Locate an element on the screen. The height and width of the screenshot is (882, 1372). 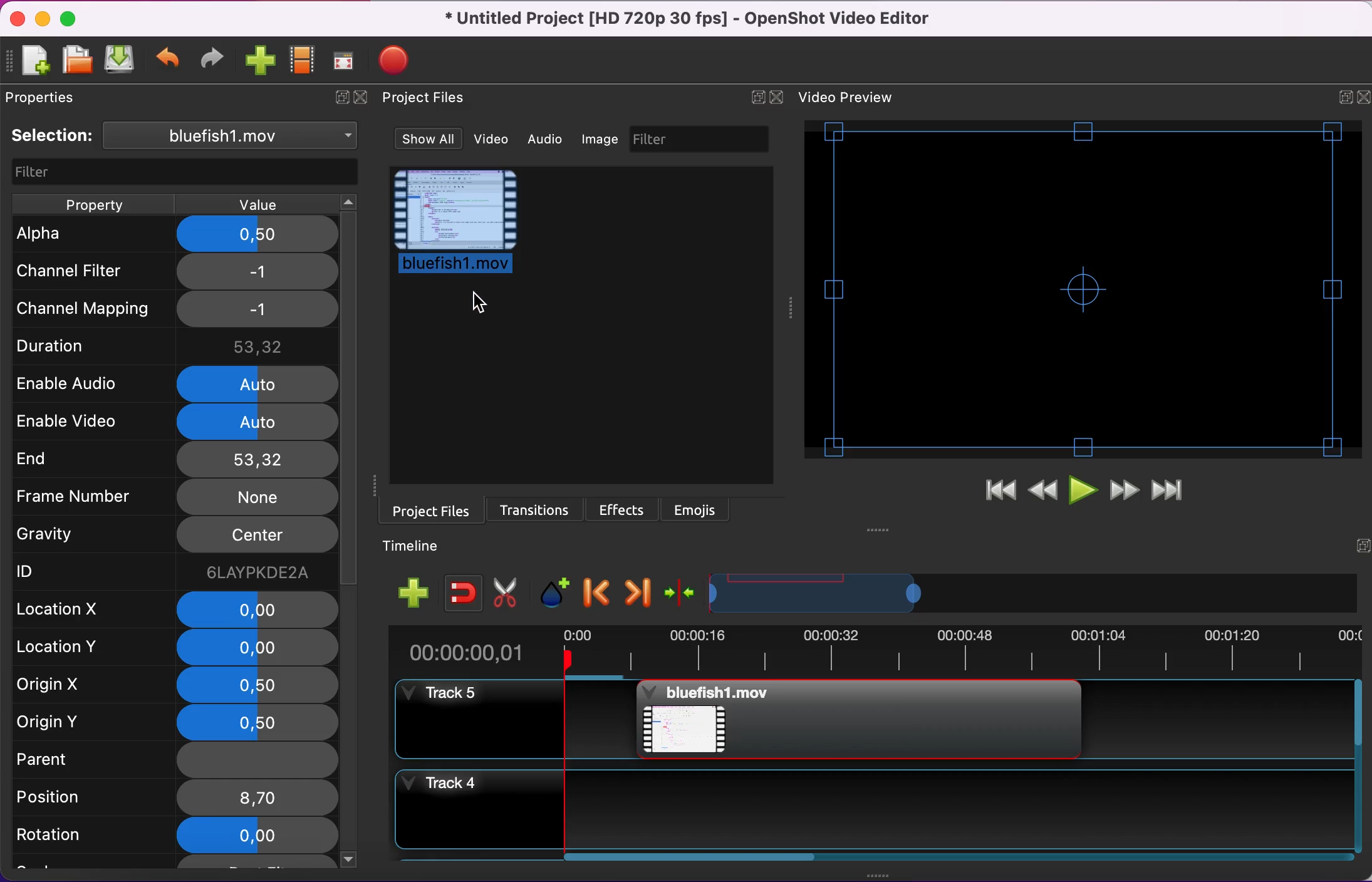
previous marker is located at coordinates (598, 593).